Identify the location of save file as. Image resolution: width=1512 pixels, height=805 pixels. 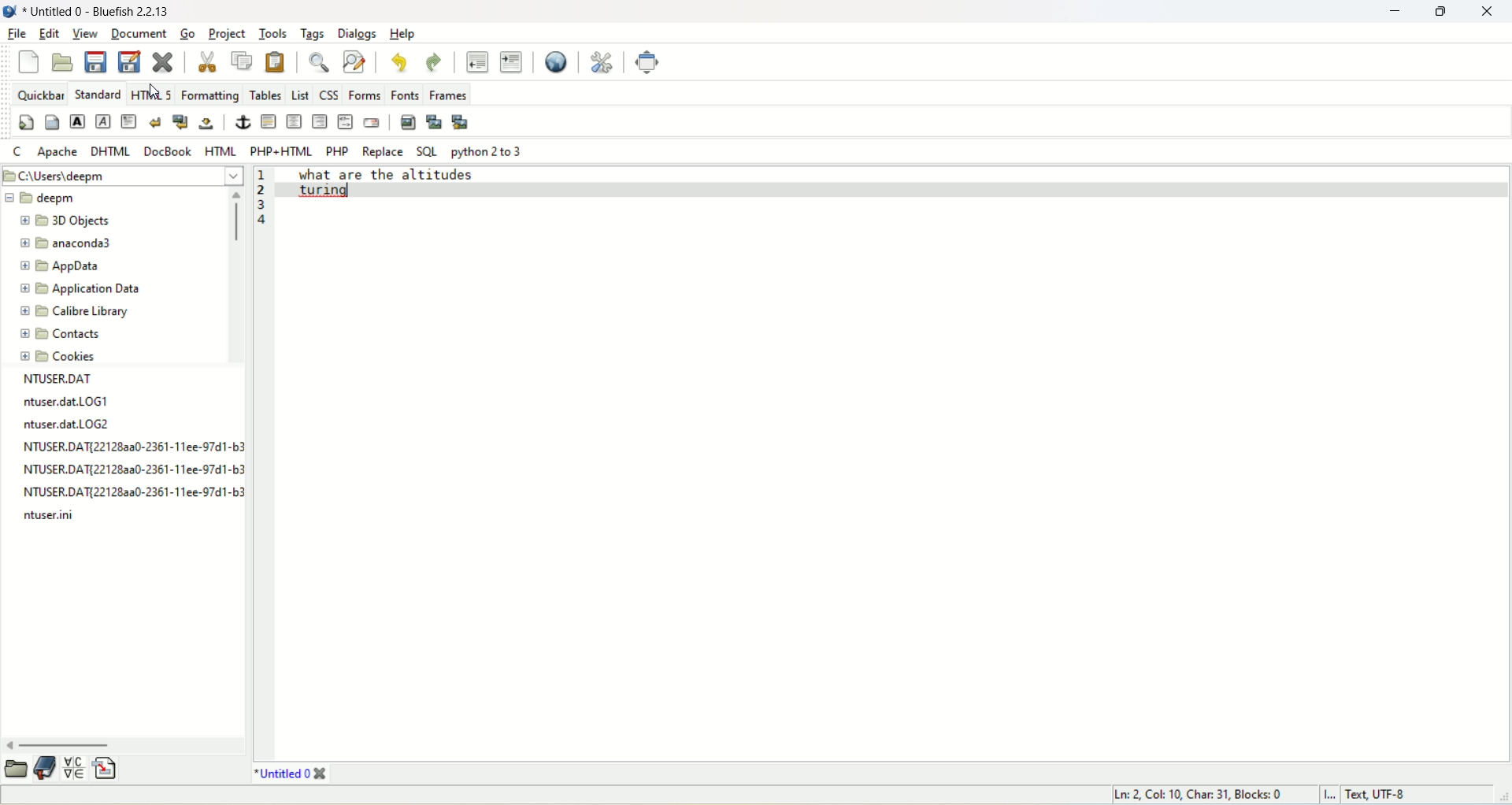
(132, 62).